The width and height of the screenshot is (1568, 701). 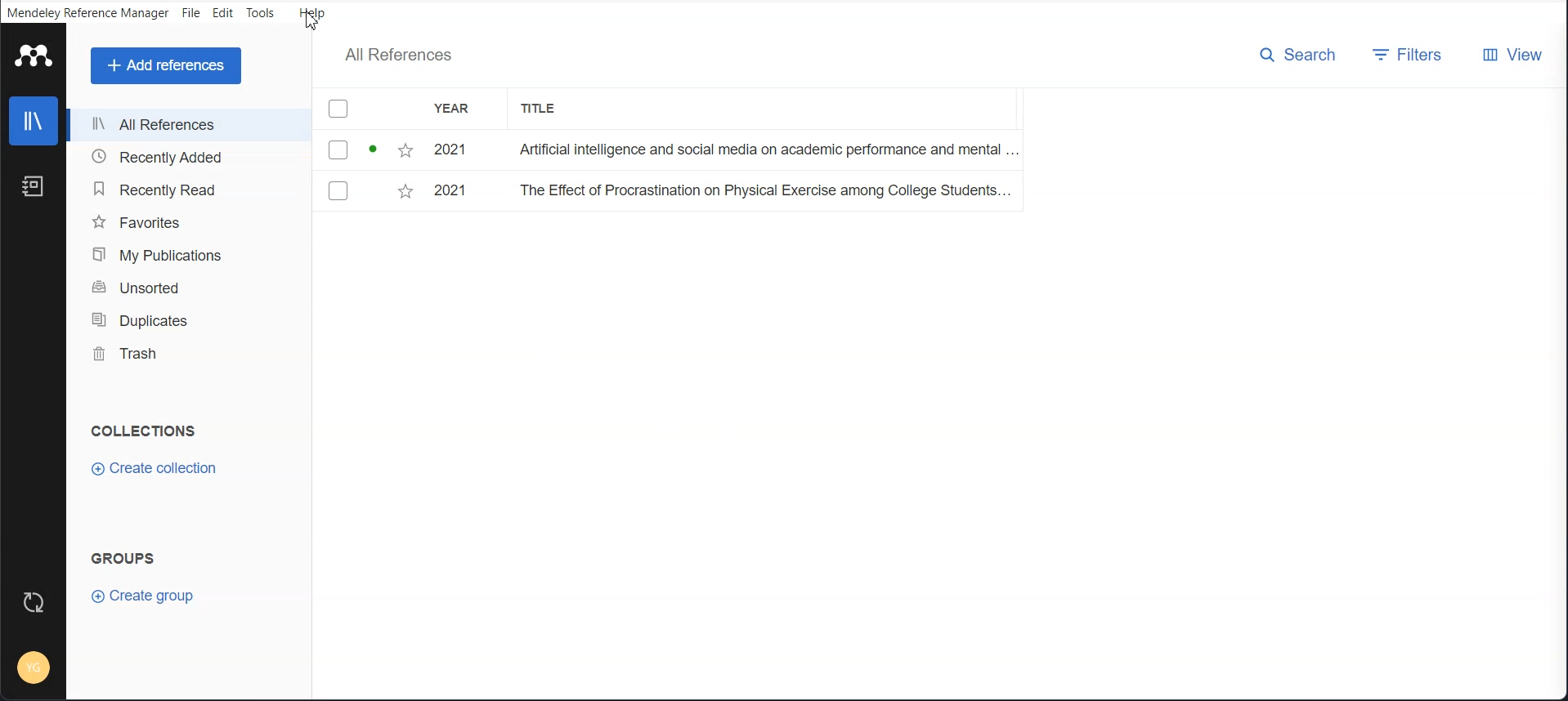 What do you see at coordinates (34, 55) in the screenshot?
I see `Logo` at bounding box center [34, 55].